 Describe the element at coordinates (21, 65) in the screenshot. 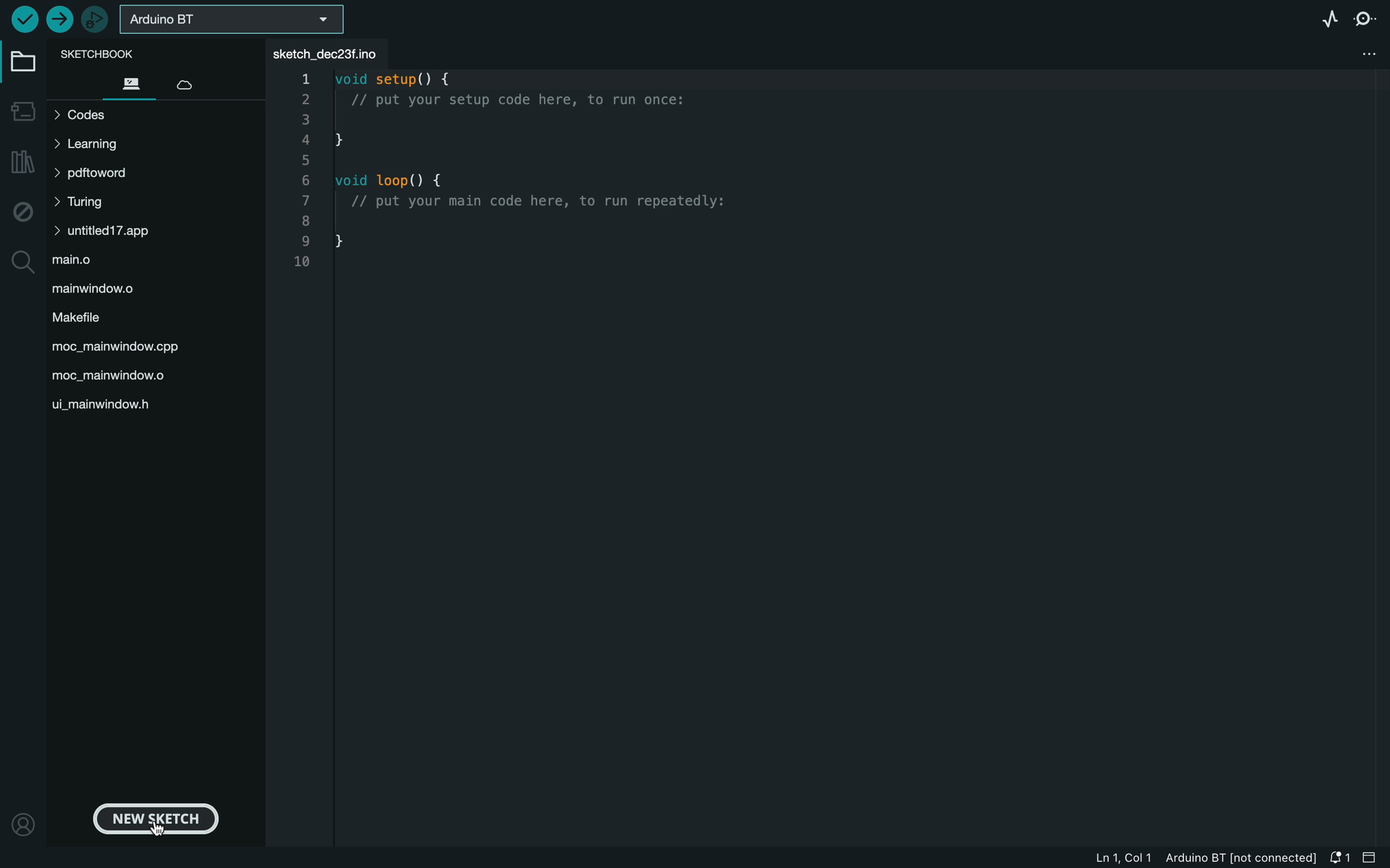

I see `folder` at that location.